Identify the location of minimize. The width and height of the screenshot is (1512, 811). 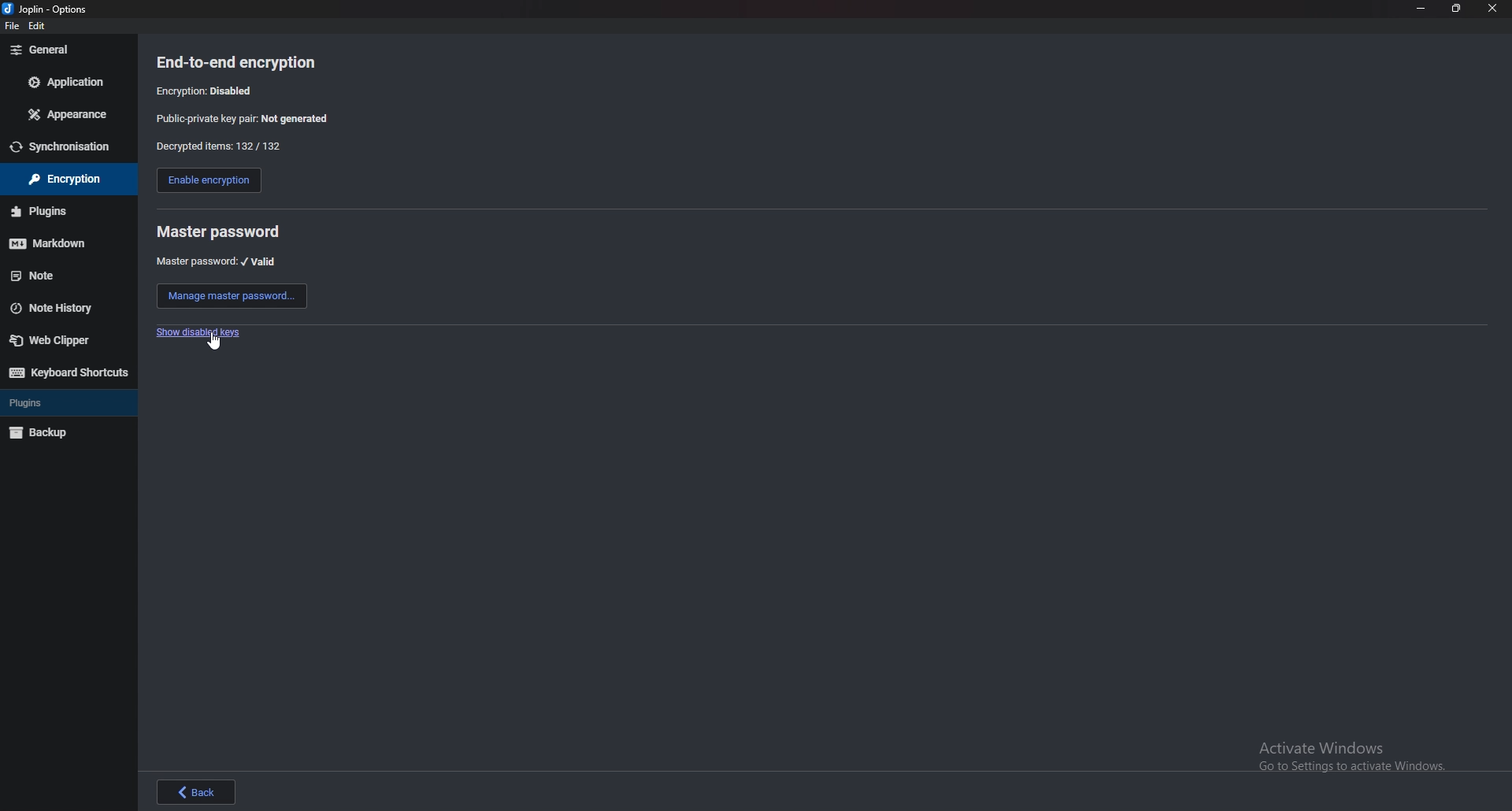
(1422, 9).